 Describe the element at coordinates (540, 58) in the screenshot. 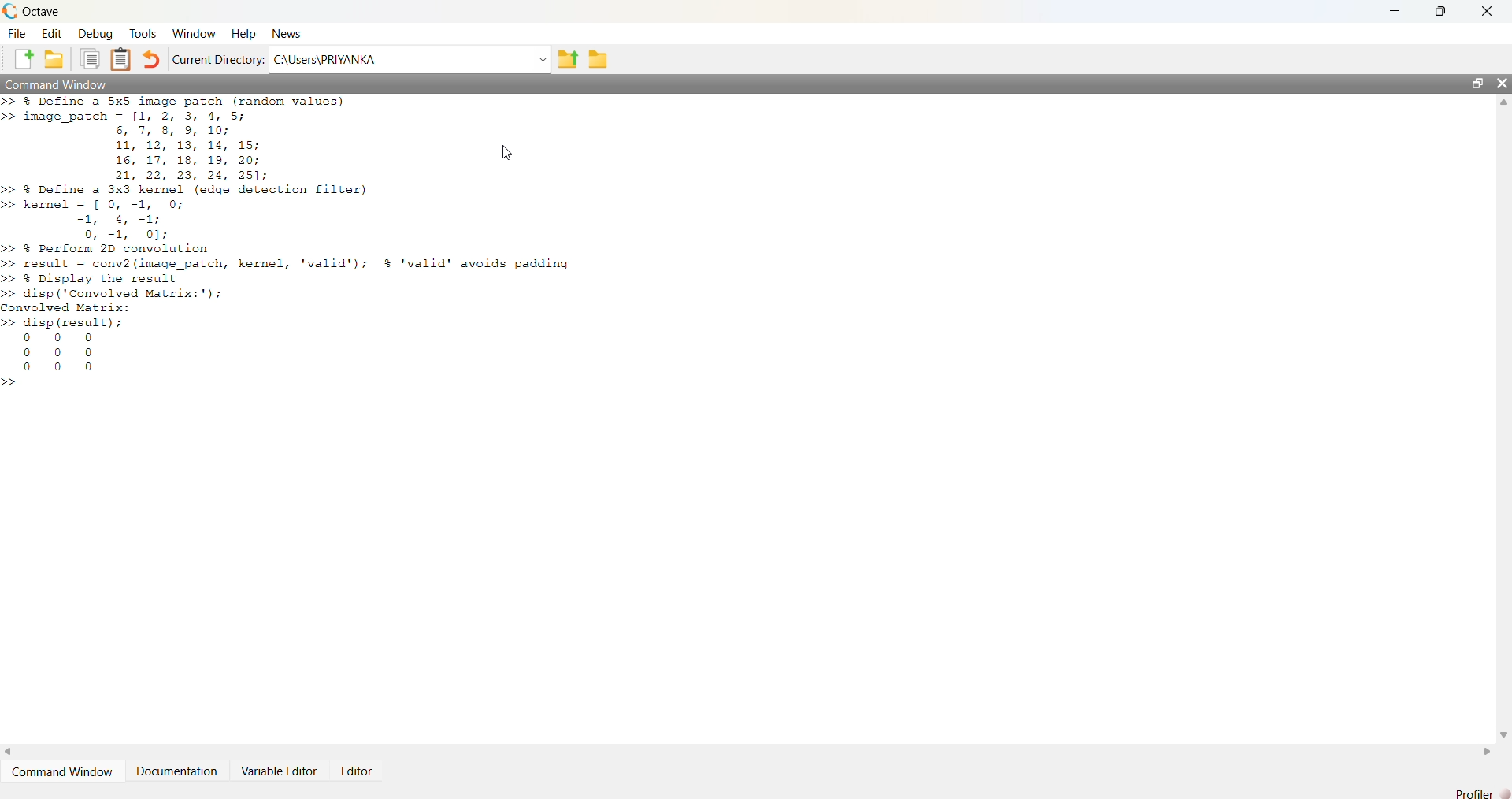

I see `Dropdown` at that location.